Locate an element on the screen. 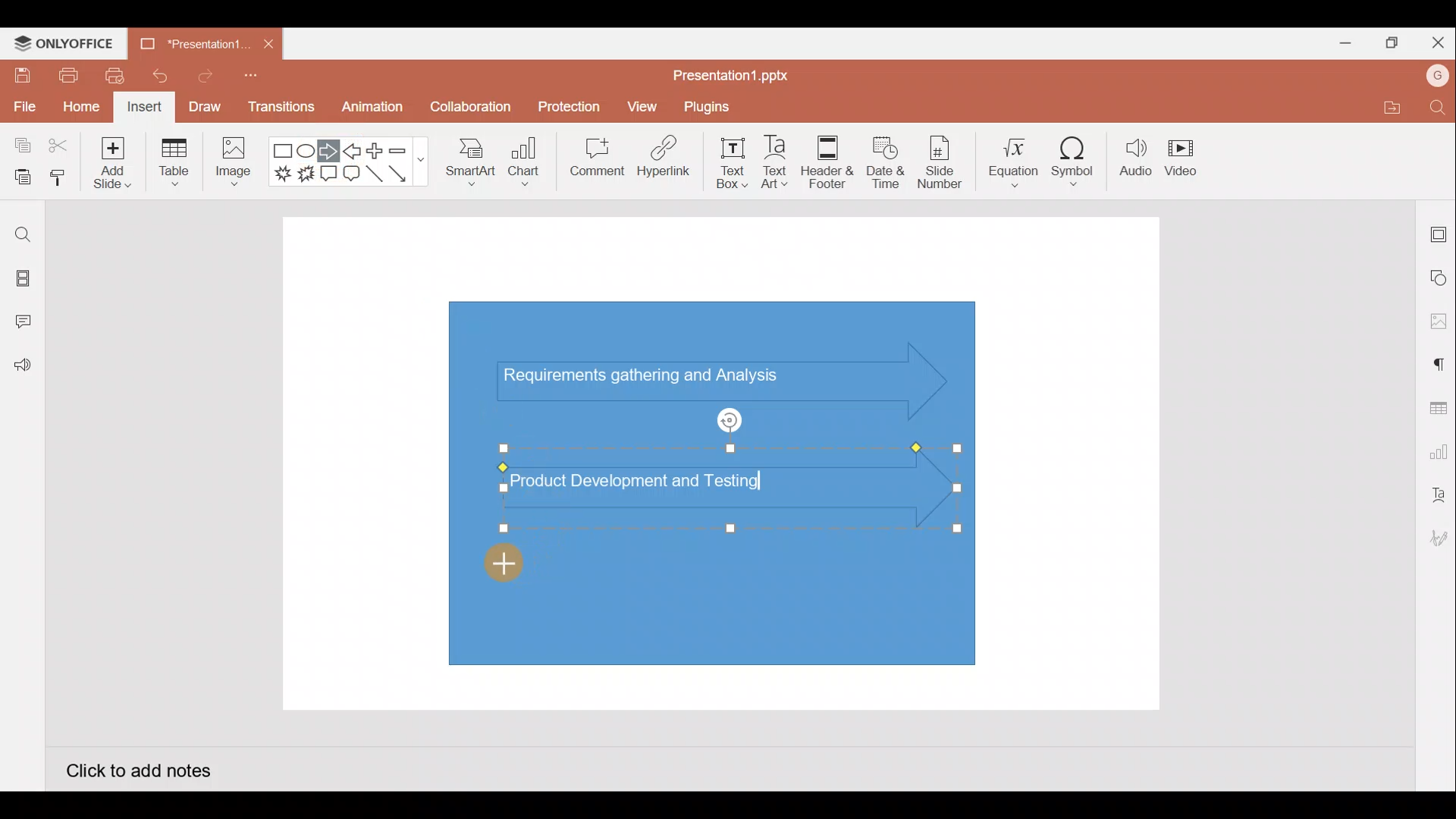 Image resolution: width=1456 pixels, height=819 pixels. Copy is located at coordinates (20, 146).